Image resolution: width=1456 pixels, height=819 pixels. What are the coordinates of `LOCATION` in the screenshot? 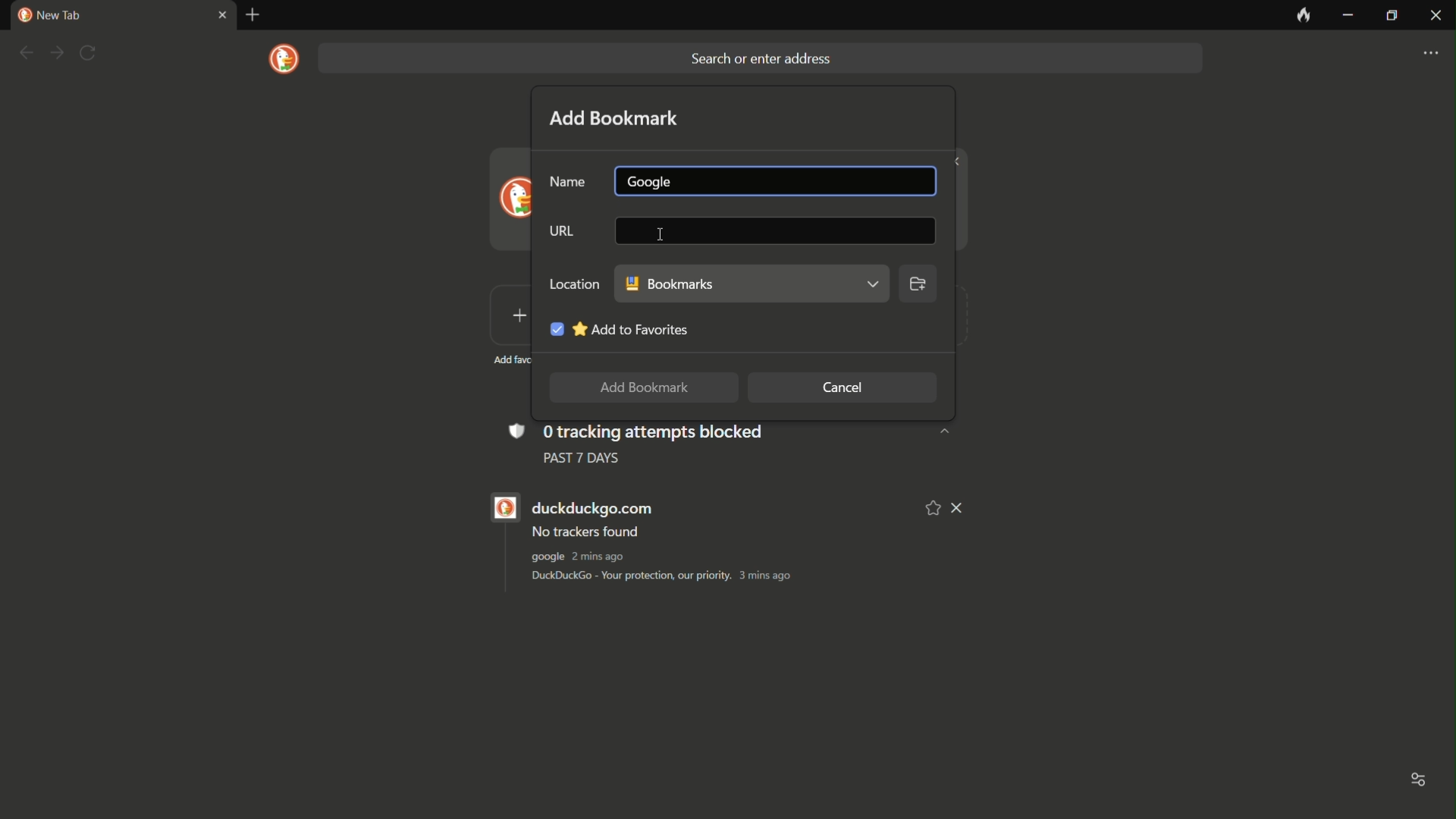 It's located at (573, 283).